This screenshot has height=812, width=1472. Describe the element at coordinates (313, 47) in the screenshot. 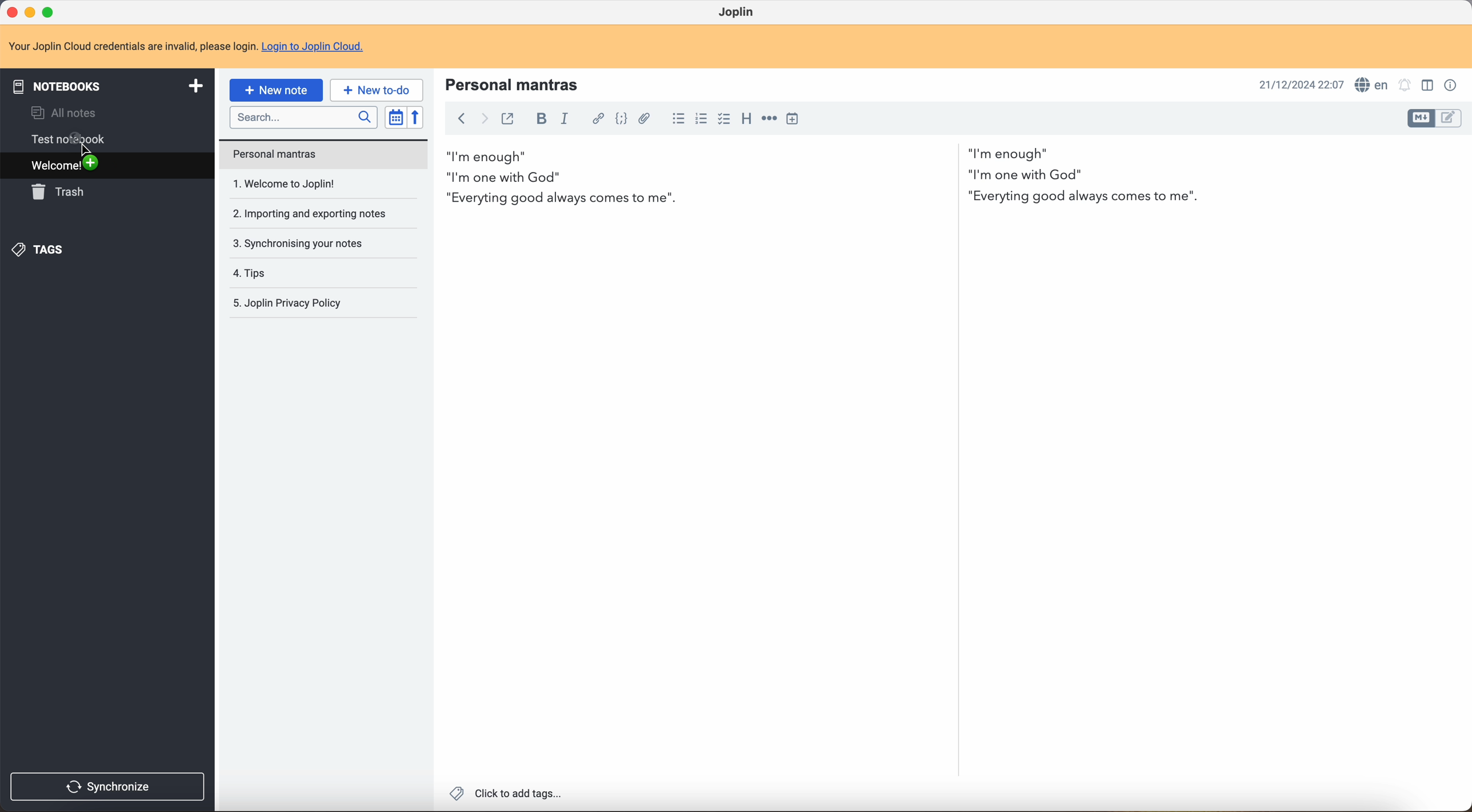

I see `Login to Joplin Cloud` at that location.